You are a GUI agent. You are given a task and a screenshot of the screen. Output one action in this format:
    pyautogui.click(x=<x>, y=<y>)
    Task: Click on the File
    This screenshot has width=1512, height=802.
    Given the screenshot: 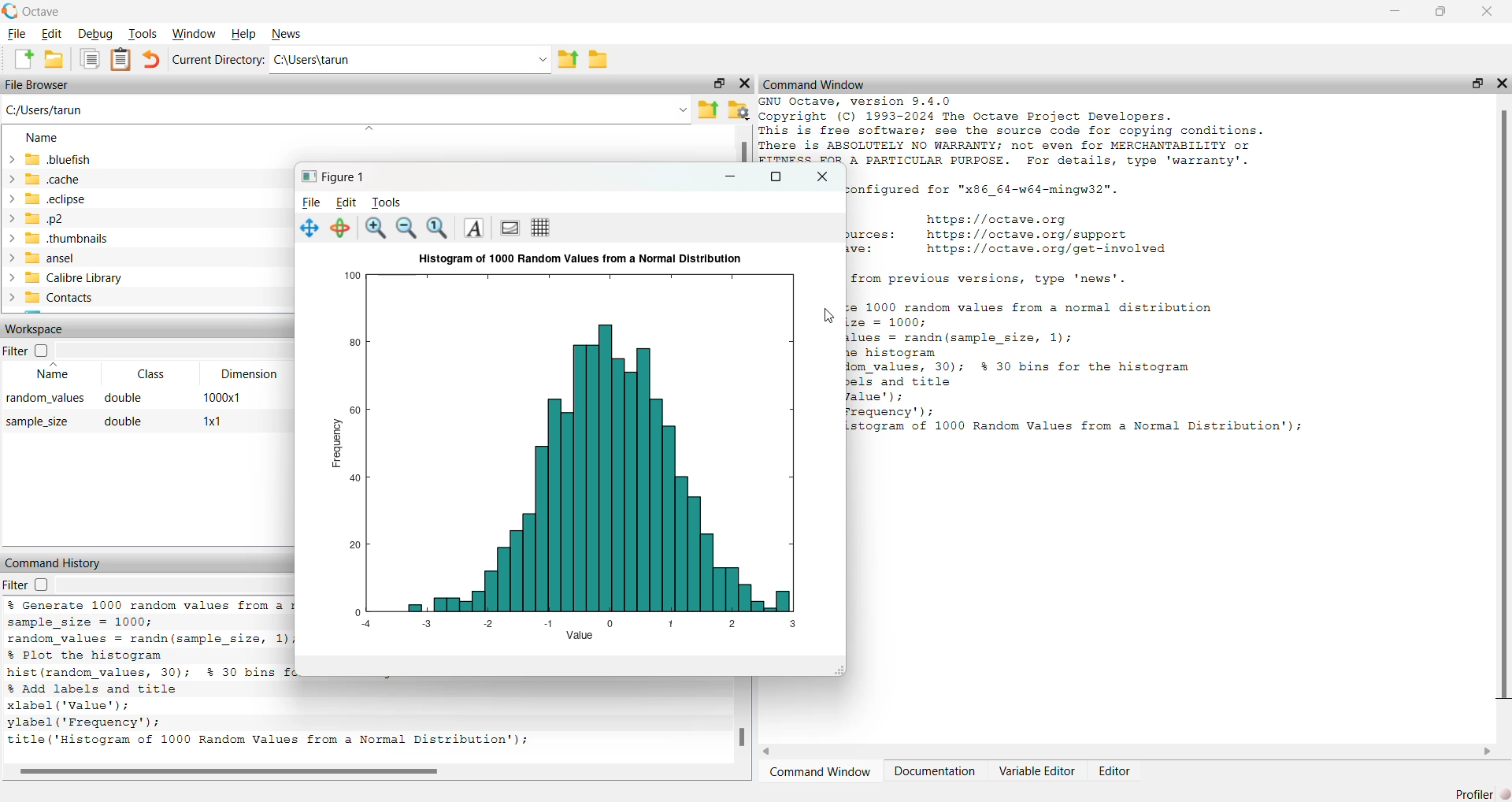 What is the action you would take?
    pyautogui.click(x=311, y=203)
    